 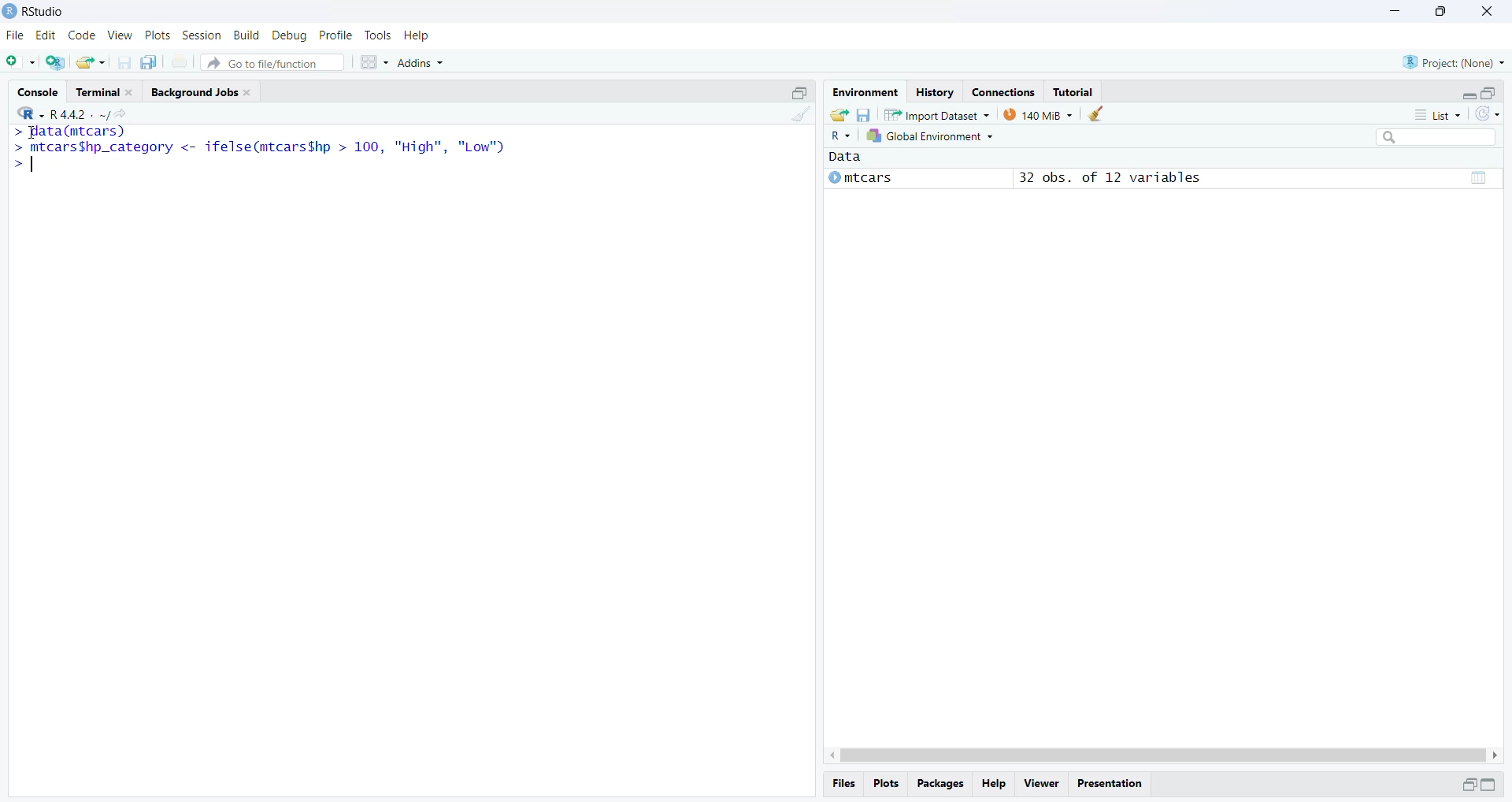 What do you see at coordinates (864, 113) in the screenshot?
I see `Save workspace as` at bounding box center [864, 113].